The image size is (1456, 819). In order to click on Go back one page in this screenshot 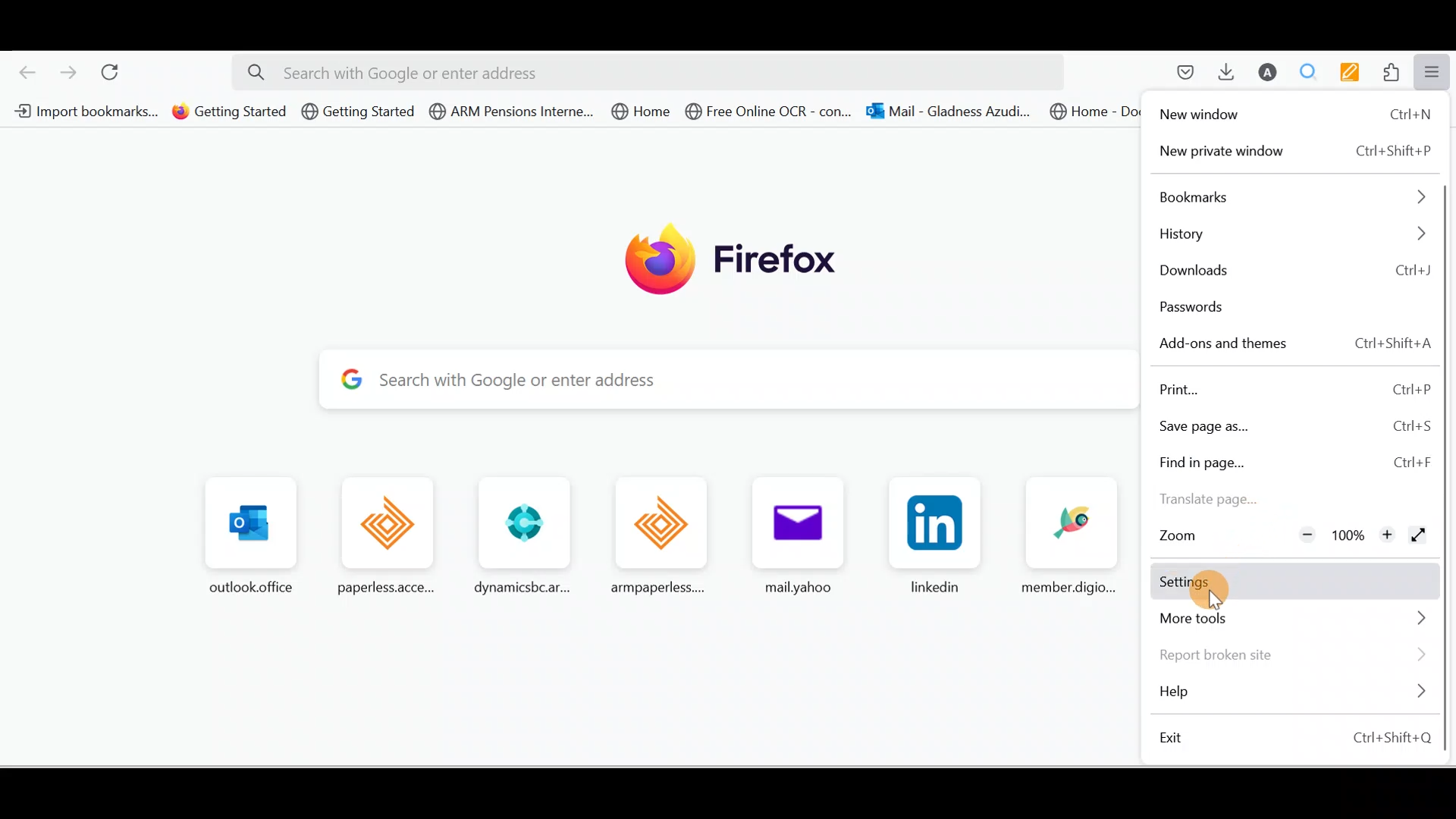, I will do `click(21, 68)`.